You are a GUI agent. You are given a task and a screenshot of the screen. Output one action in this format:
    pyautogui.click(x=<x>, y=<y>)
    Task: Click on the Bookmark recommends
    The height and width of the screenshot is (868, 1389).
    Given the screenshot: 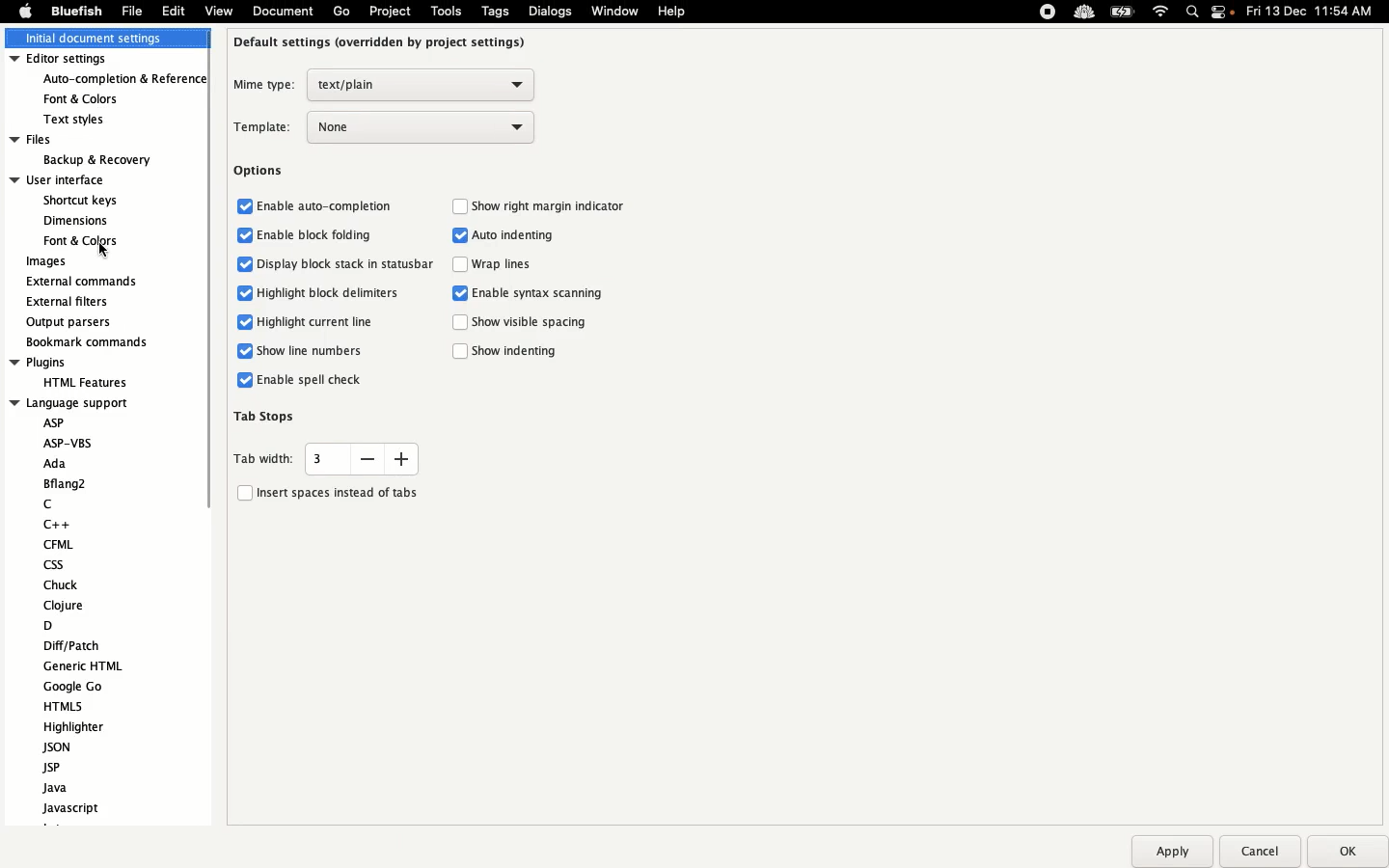 What is the action you would take?
    pyautogui.click(x=89, y=340)
    